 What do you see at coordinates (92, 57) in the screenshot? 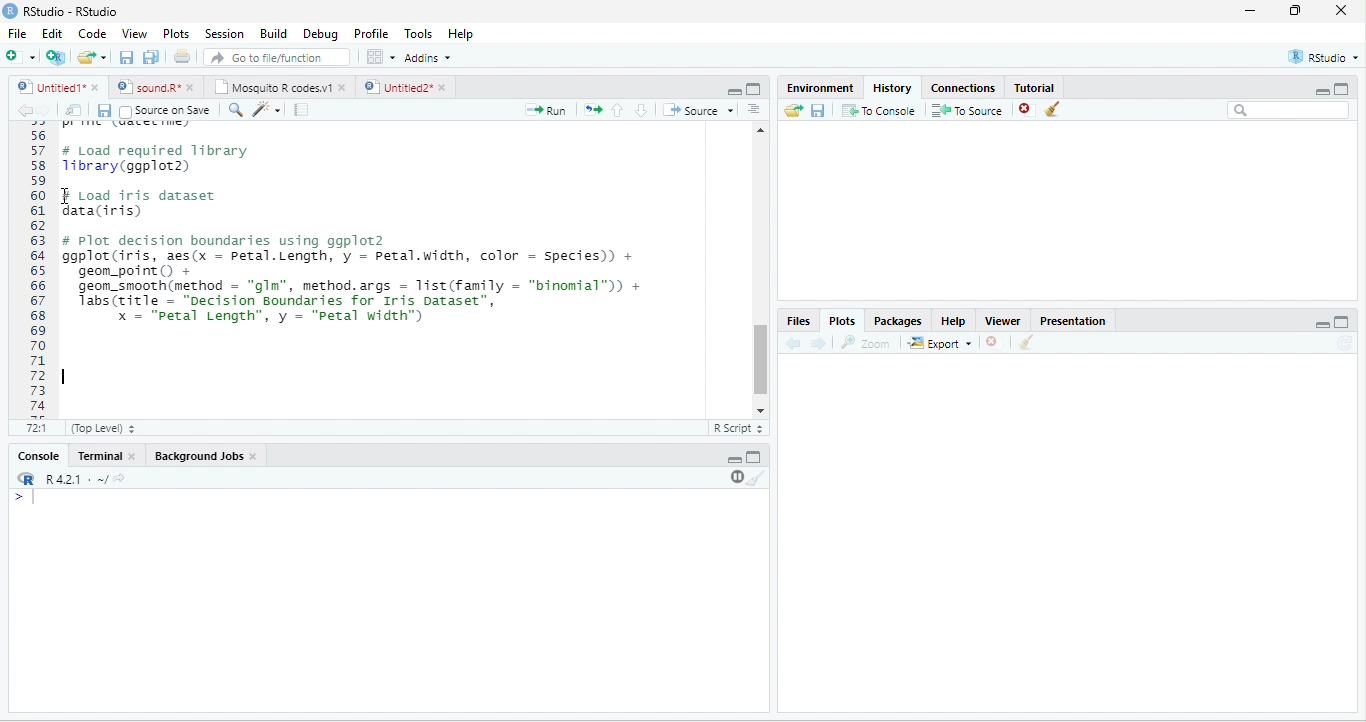
I see `open file` at bounding box center [92, 57].